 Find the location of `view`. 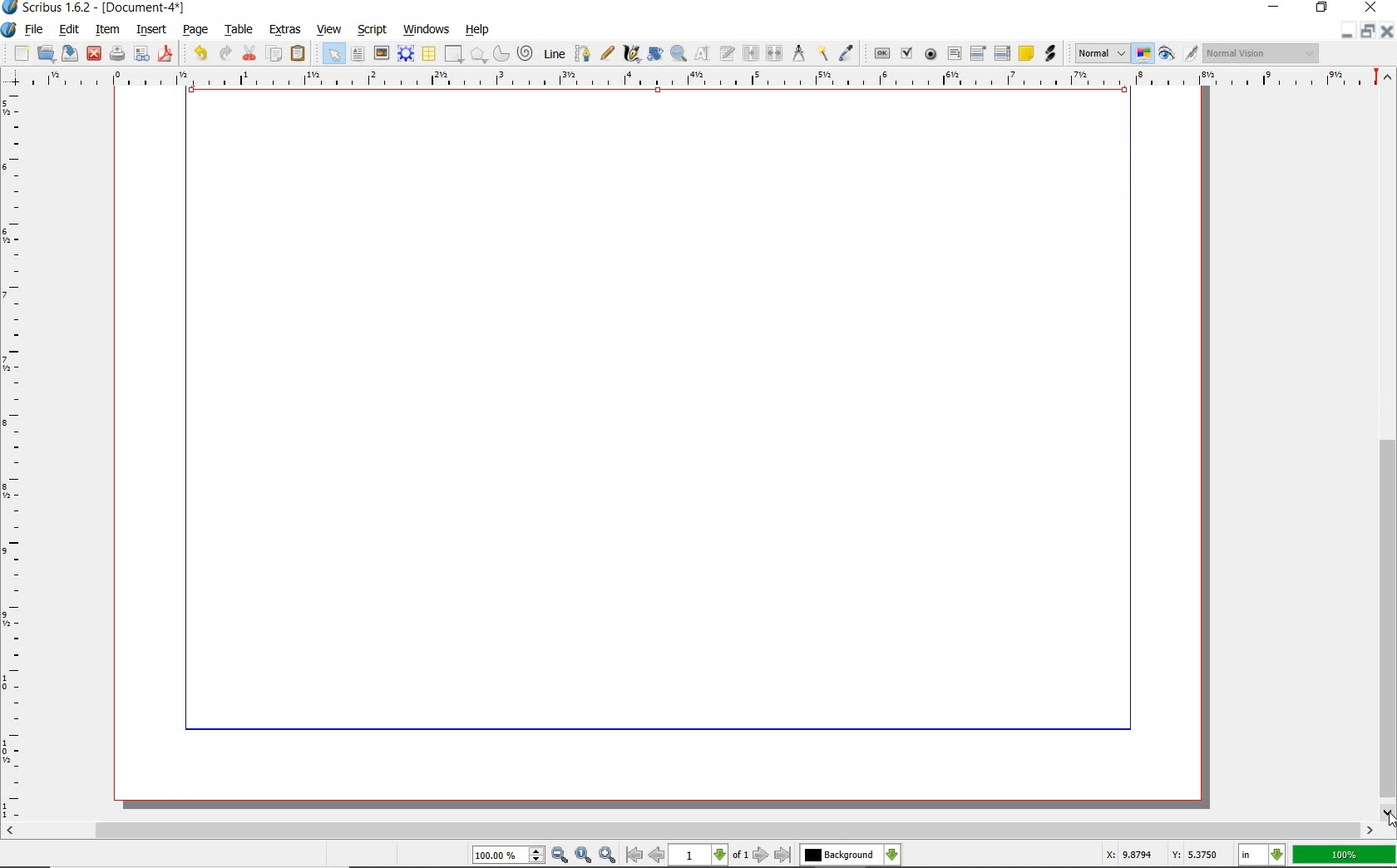

view is located at coordinates (329, 30).